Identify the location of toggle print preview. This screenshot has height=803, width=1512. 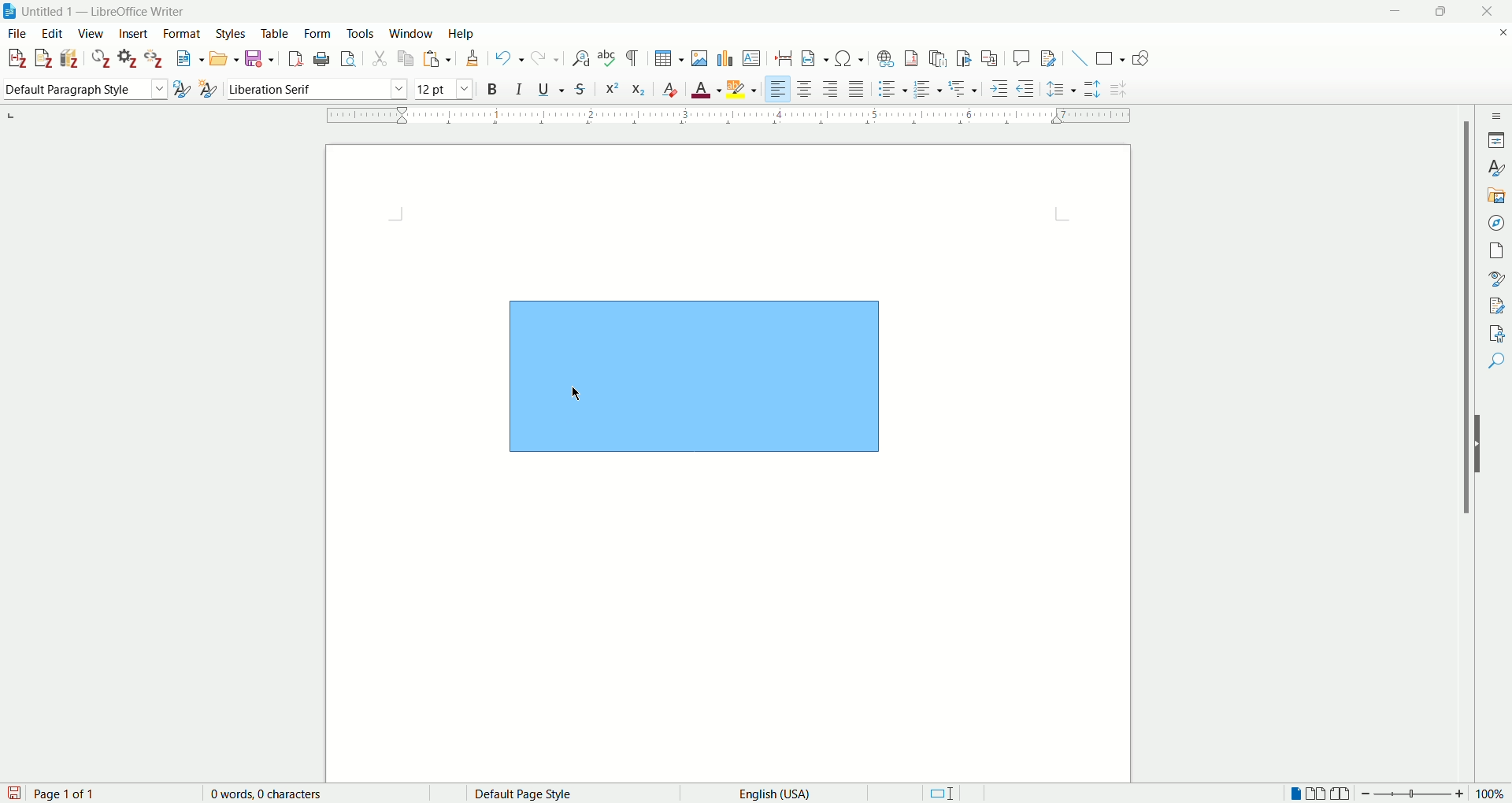
(348, 59).